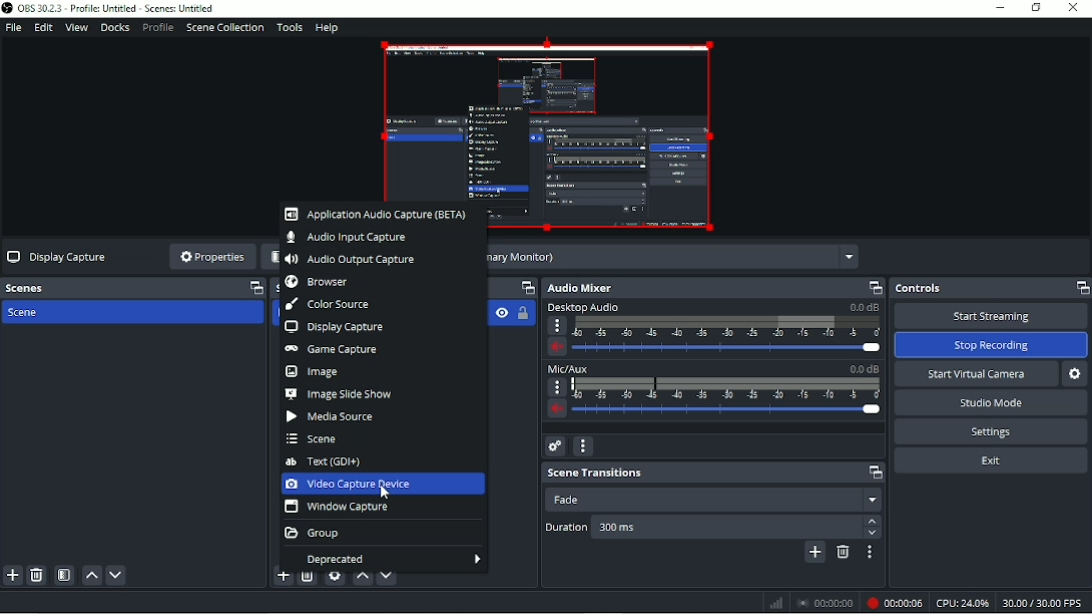 The image size is (1092, 614). I want to click on Studio mode, so click(992, 403).